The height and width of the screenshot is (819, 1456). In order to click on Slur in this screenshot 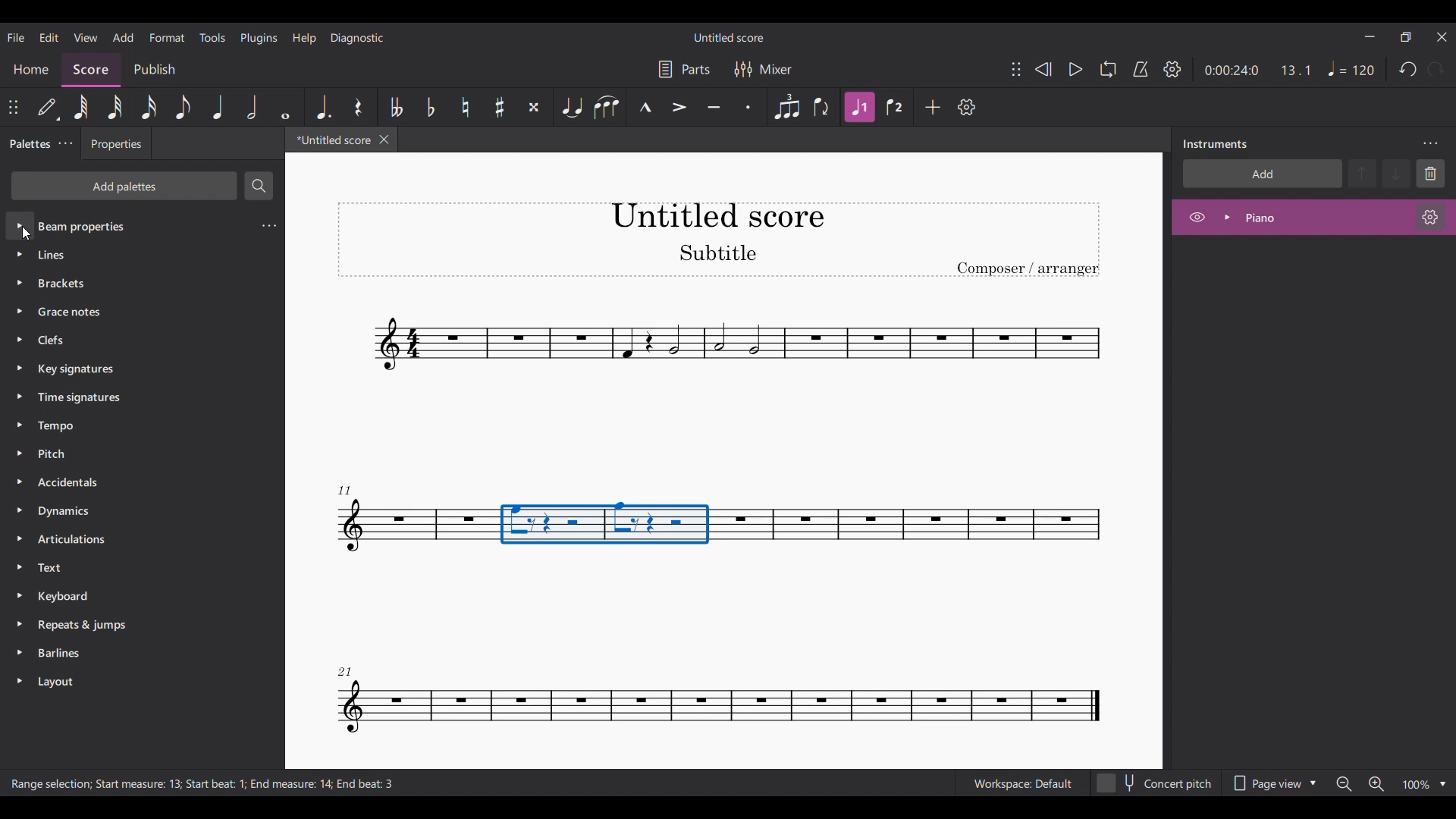, I will do `click(608, 107)`.